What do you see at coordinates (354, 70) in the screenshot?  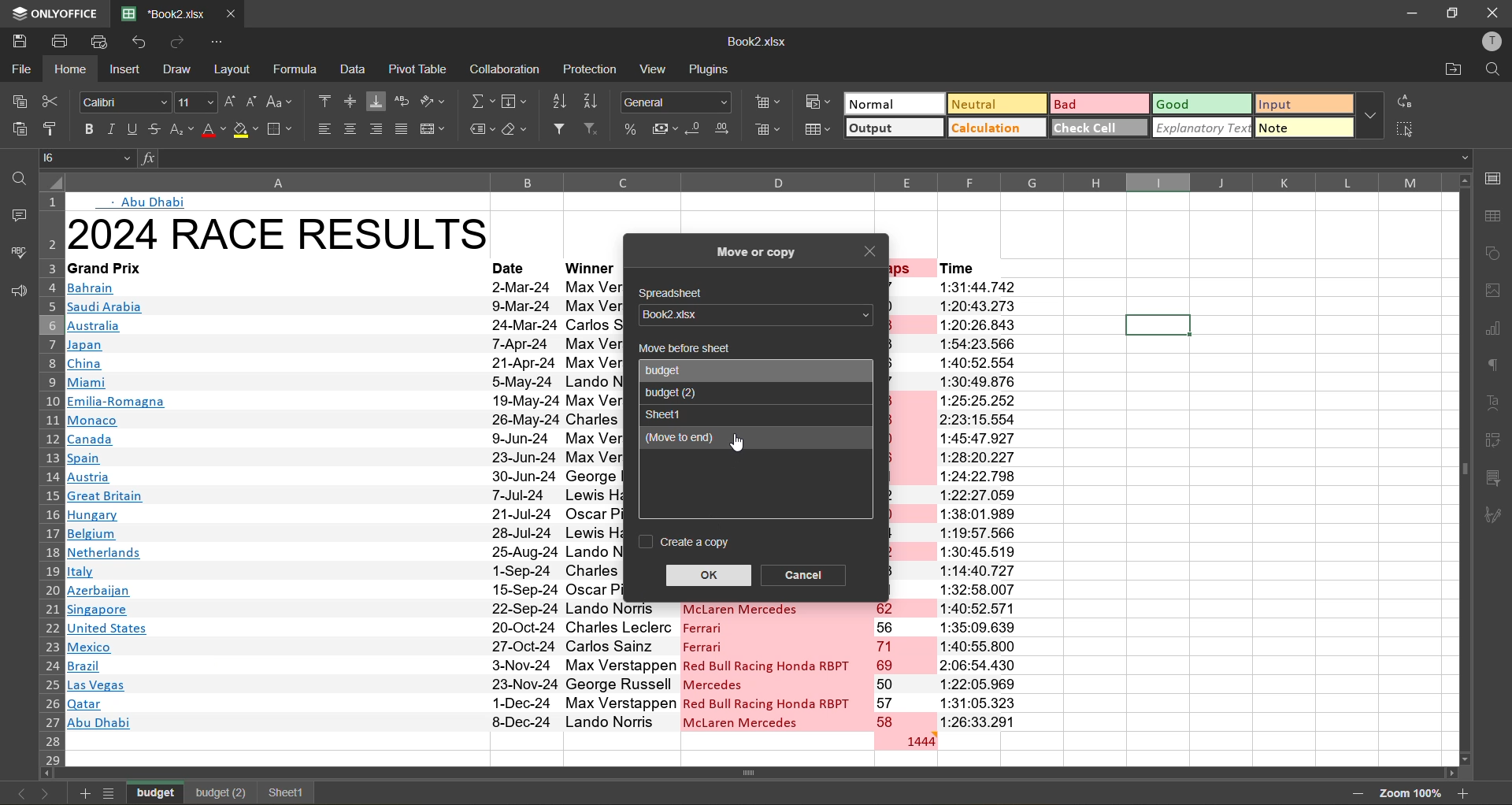 I see `data` at bounding box center [354, 70].